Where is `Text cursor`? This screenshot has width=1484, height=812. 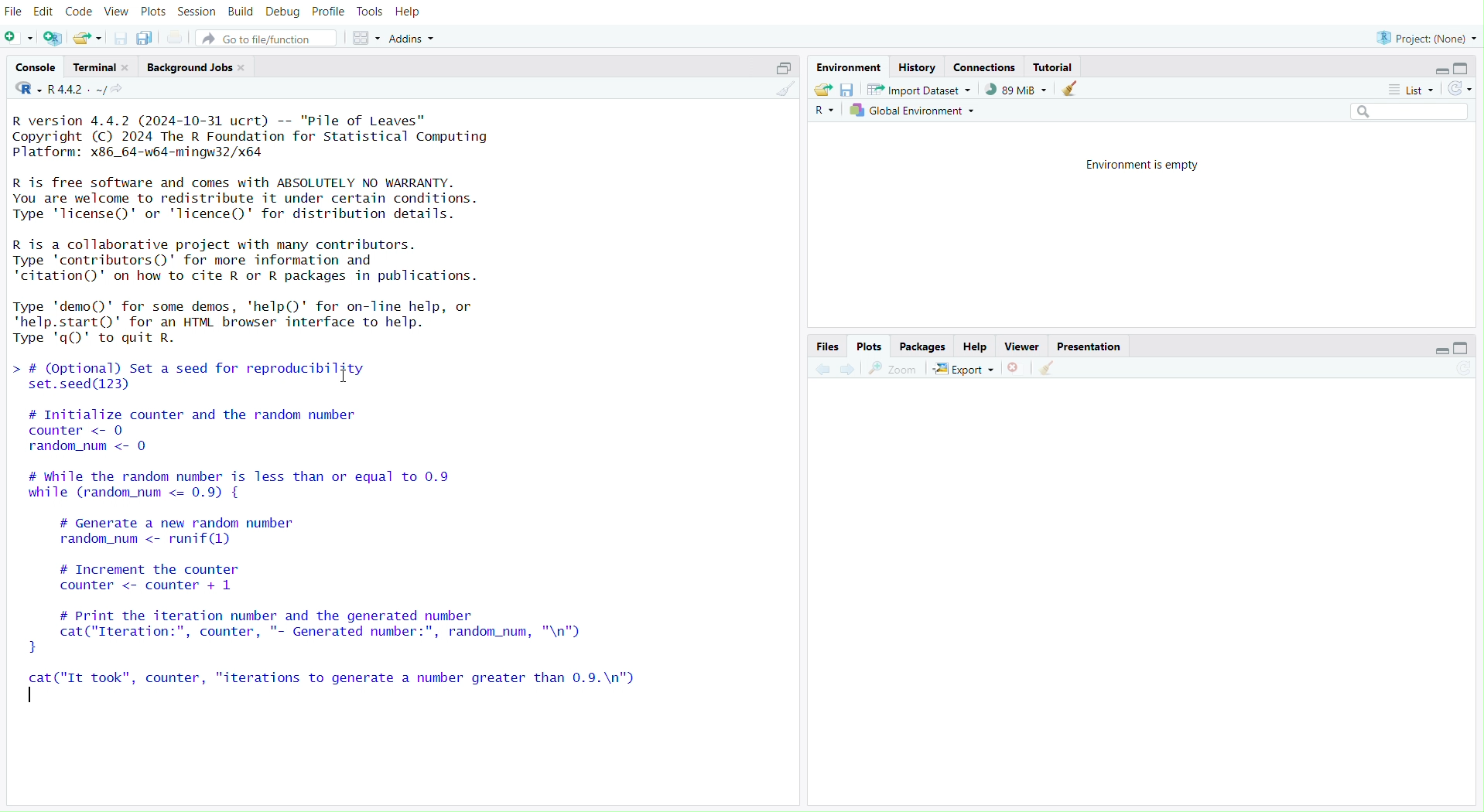
Text cursor is located at coordinates (334, 374).